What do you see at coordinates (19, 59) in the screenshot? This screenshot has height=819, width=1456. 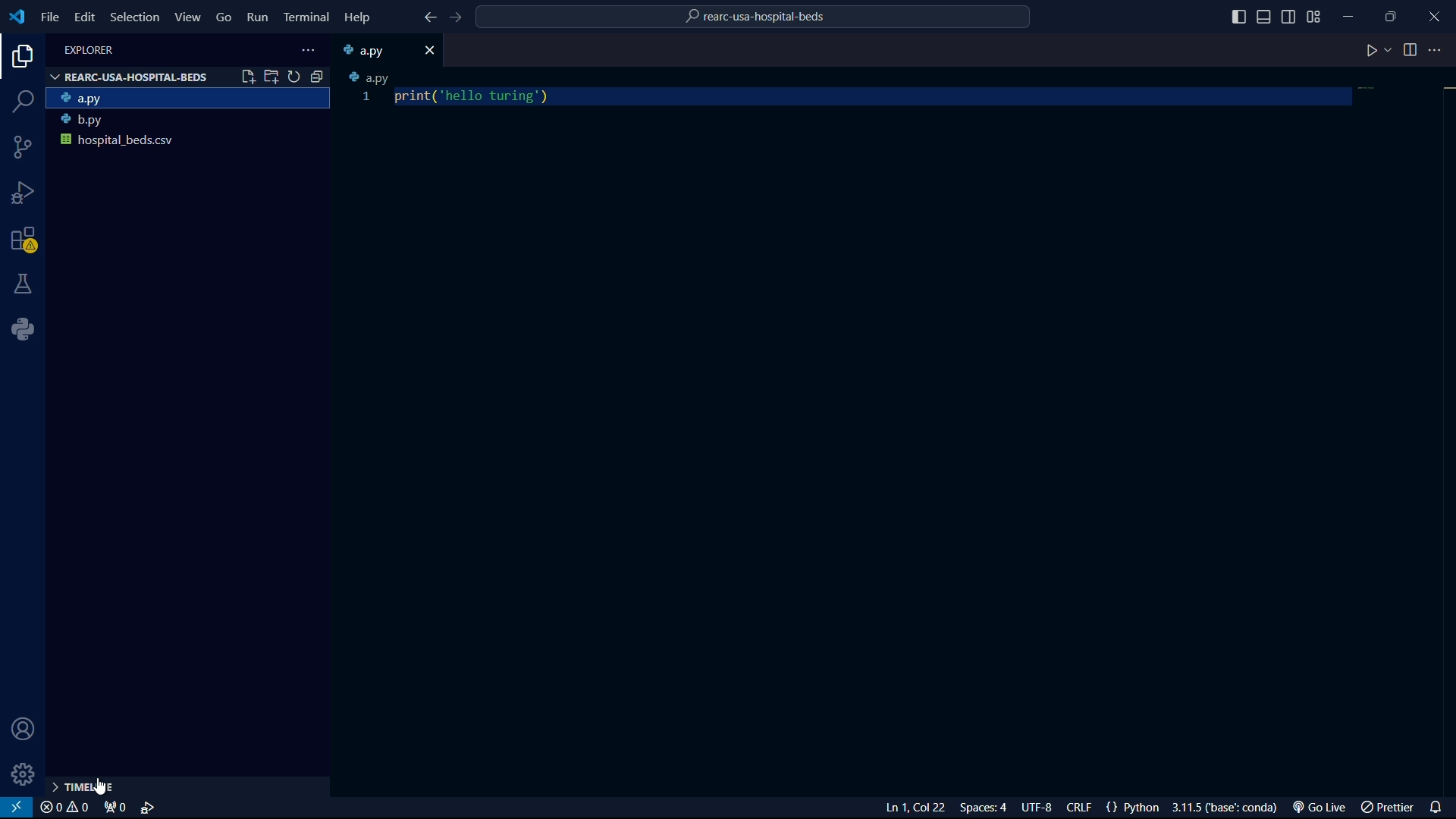 I see `explorer` at bounding box center [19, 59].